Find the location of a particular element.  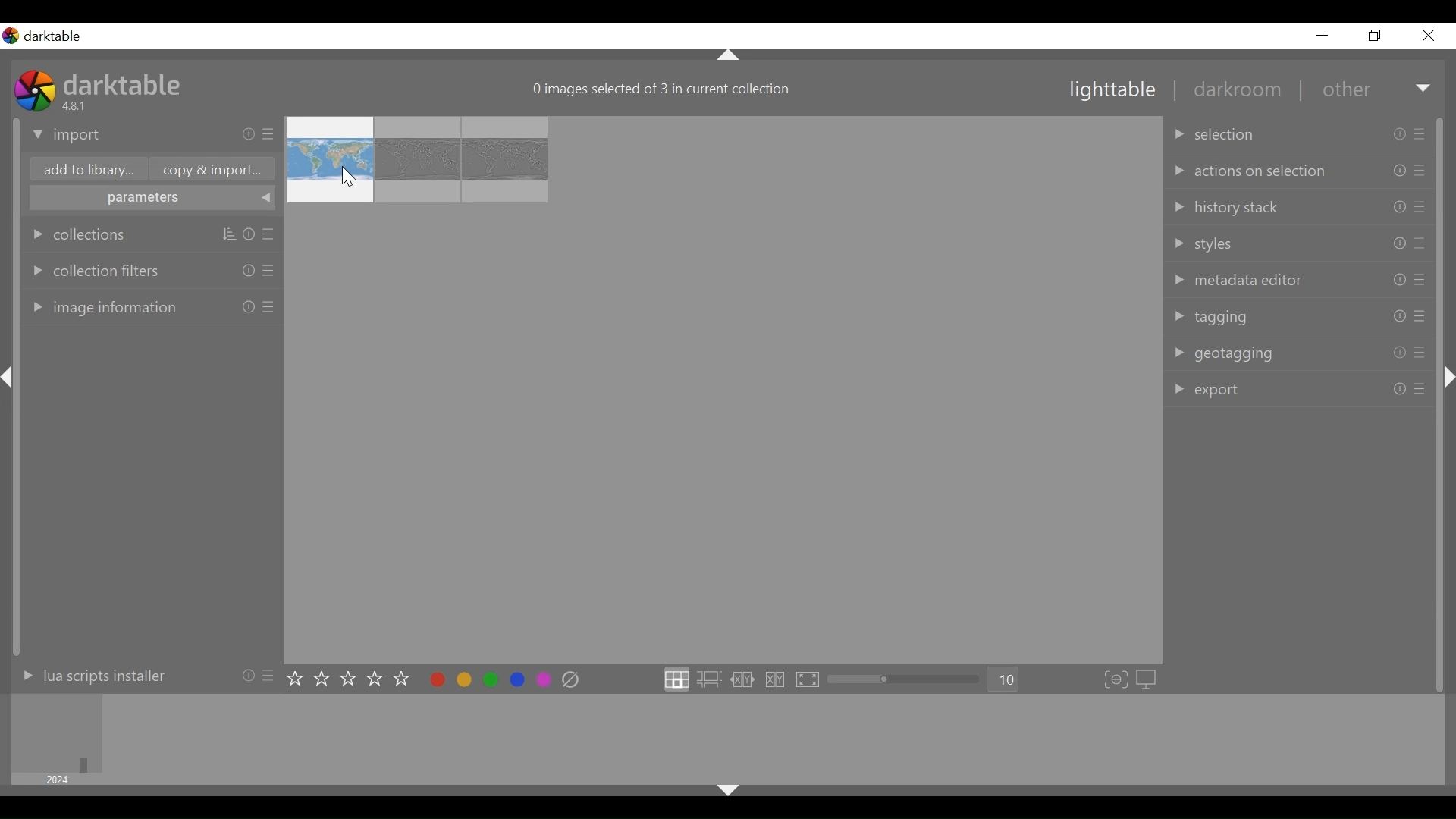

styles is located at coordinates (1301, 242).